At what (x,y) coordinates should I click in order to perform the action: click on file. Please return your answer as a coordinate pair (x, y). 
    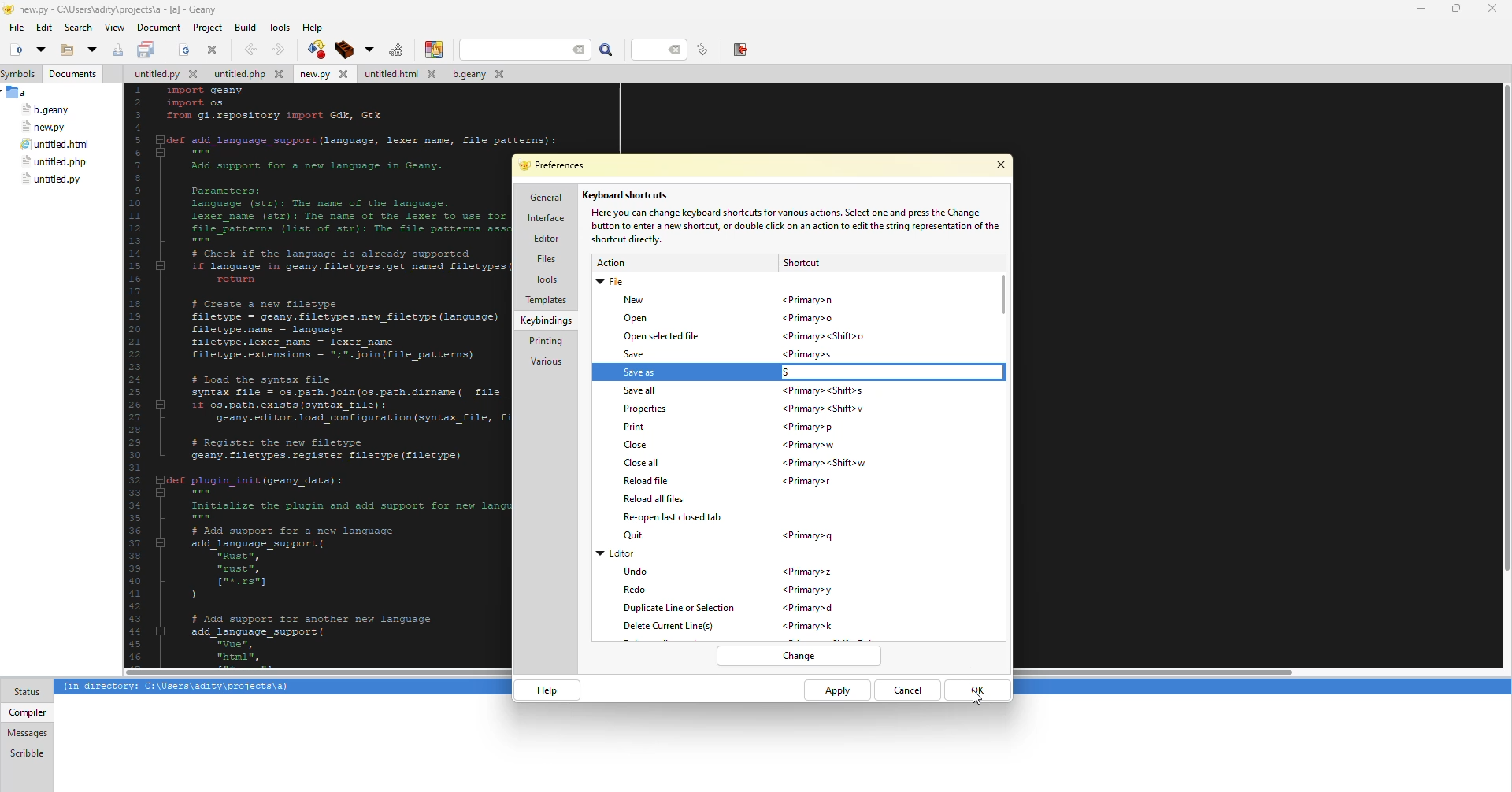
    Looking at the image, I should click on (398, 75).